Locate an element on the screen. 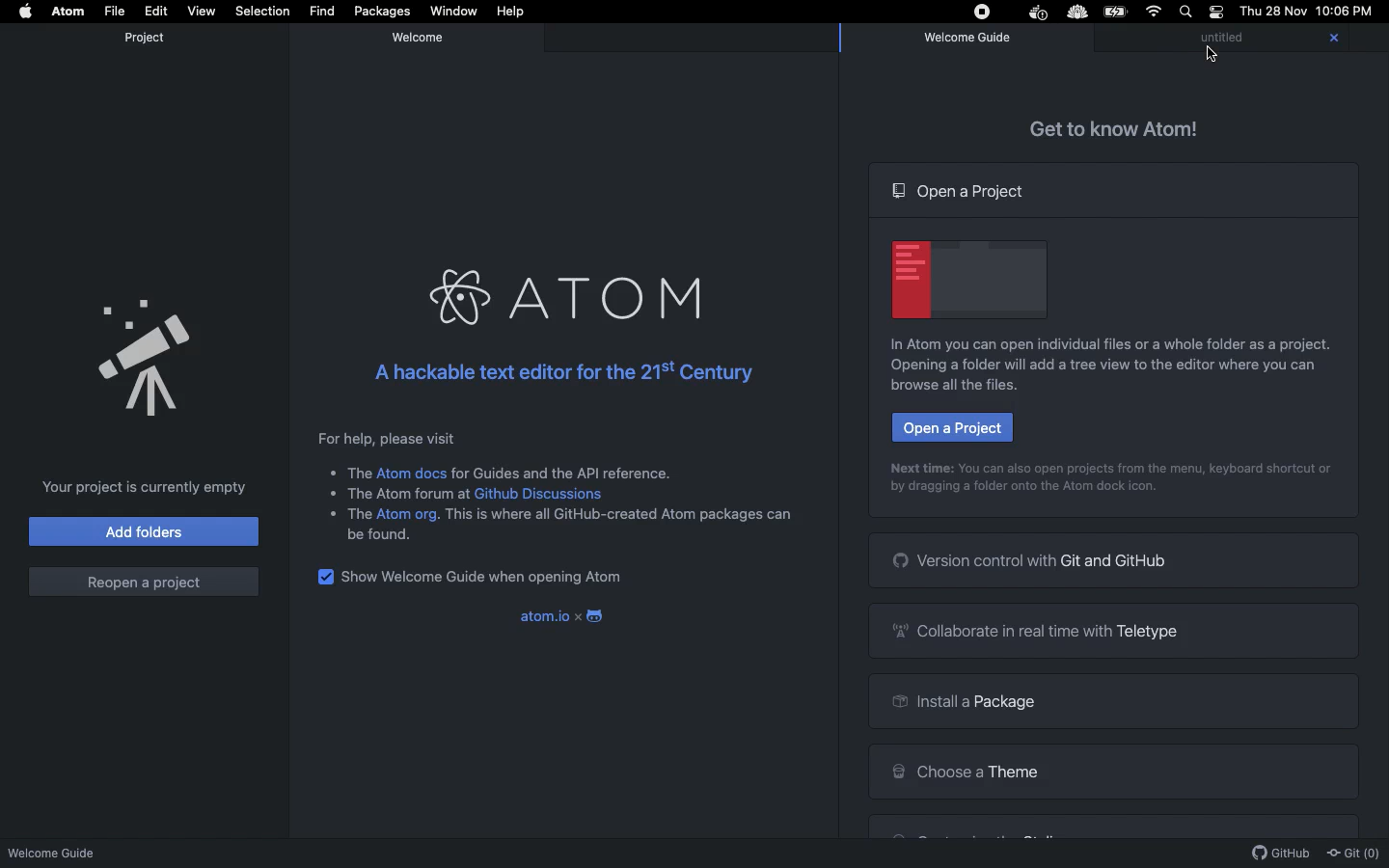  Welcome guide is located at coordinates (967, 40).